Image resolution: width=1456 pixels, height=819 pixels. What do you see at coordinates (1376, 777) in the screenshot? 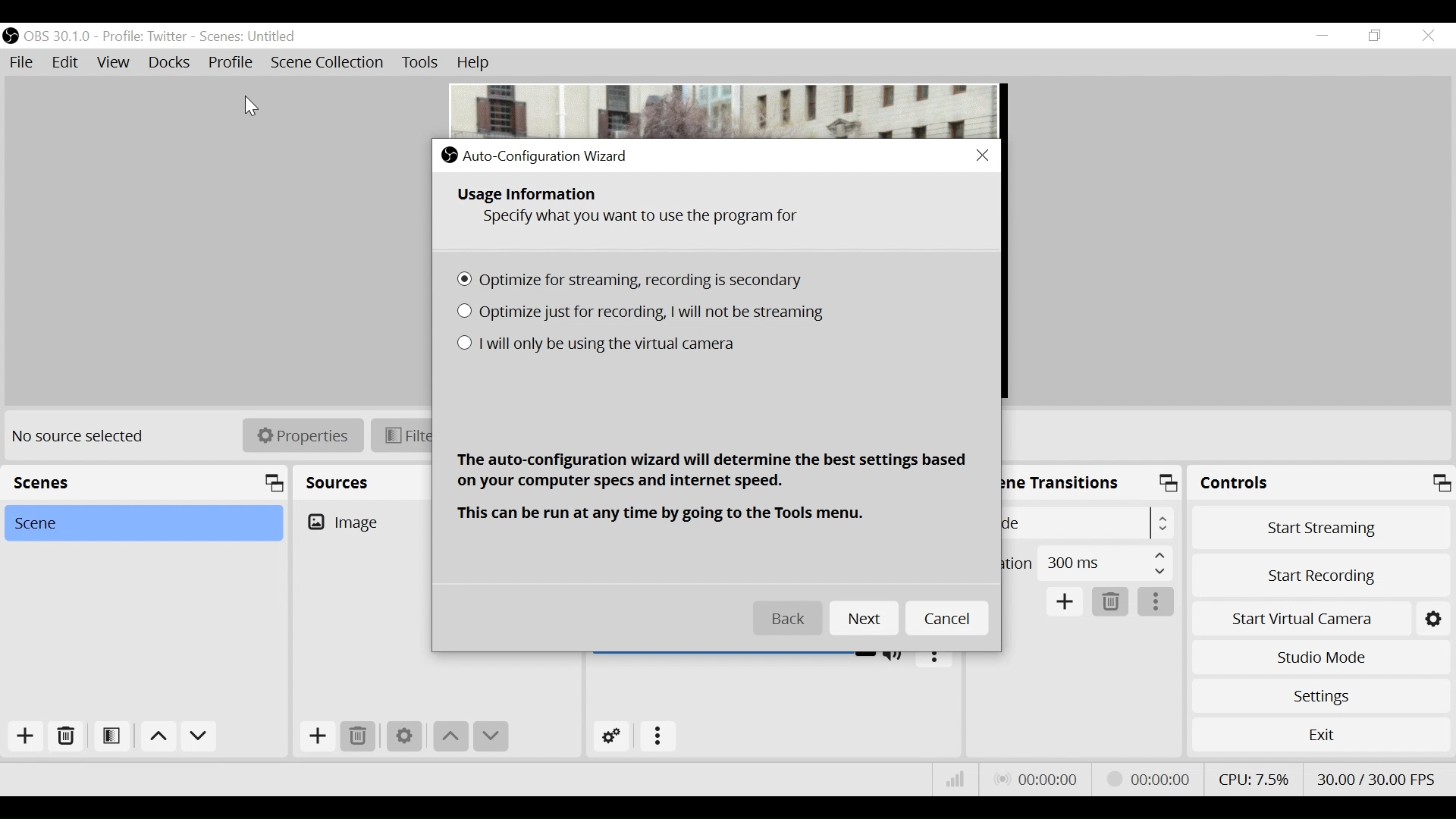
I see `Frame Per Second` at bounding box center [1376, 777].